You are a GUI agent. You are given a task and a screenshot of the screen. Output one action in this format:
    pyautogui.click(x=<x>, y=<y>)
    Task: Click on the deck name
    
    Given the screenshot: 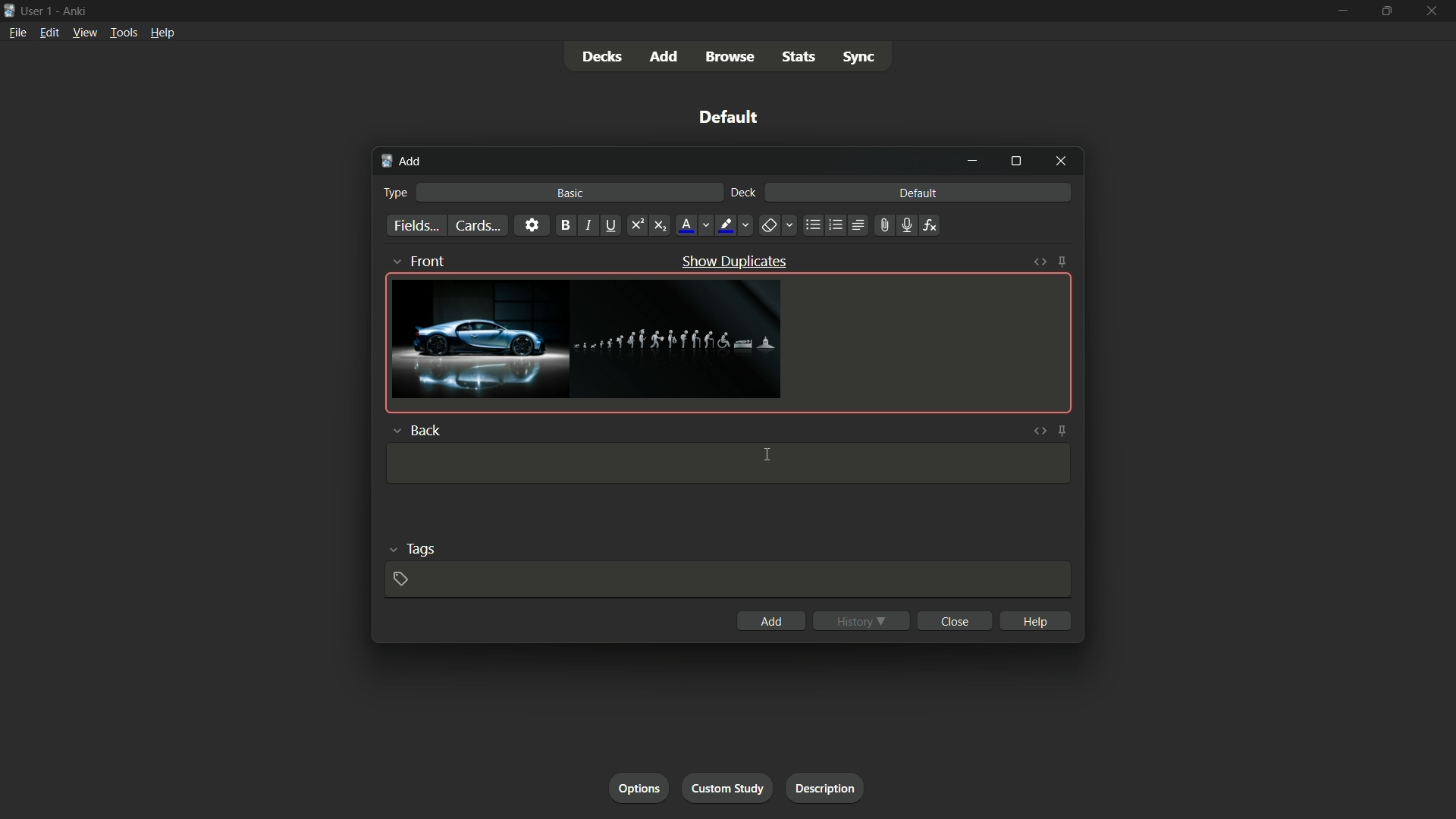 What is the action you would take?
    pyautogui.click(x=732, y=118)
    